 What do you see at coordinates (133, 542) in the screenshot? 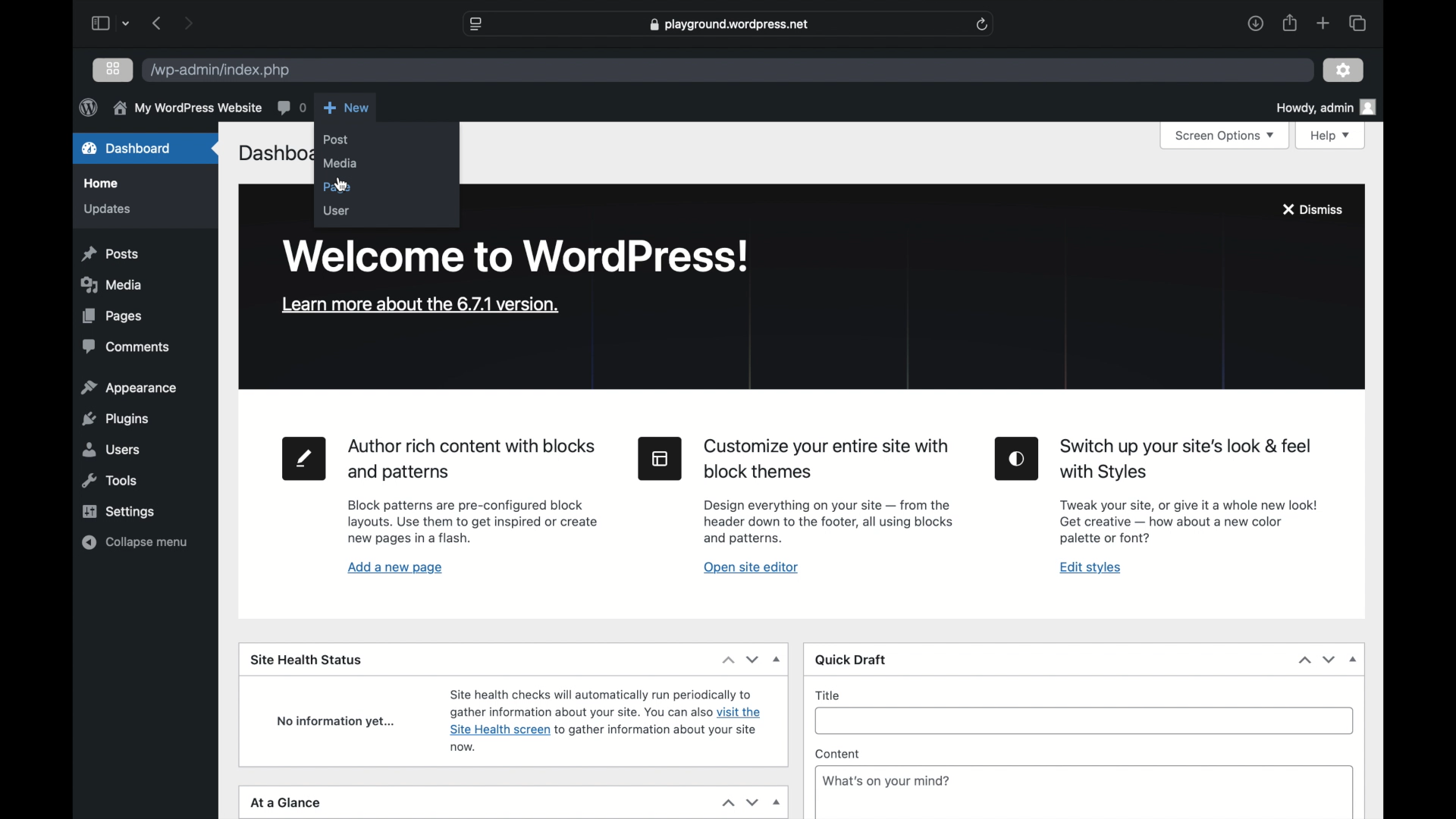
I see `collapse menu` at bounding box center [133, 542].